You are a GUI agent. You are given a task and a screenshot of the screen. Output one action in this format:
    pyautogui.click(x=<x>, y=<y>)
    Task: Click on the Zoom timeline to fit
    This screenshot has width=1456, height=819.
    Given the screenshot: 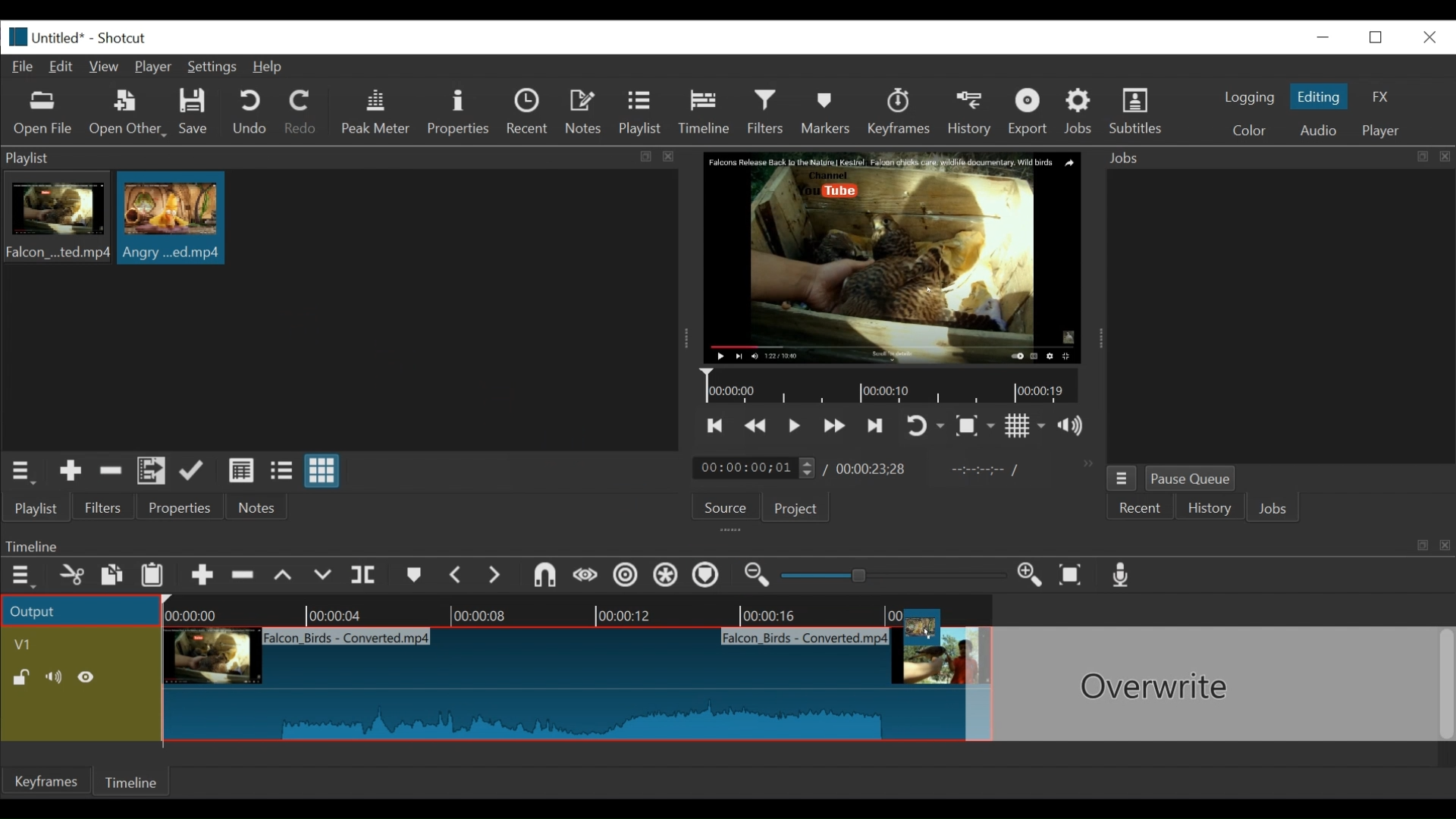 What is the action you would take?
    pyautogui.click(x=1075, y=576)
    